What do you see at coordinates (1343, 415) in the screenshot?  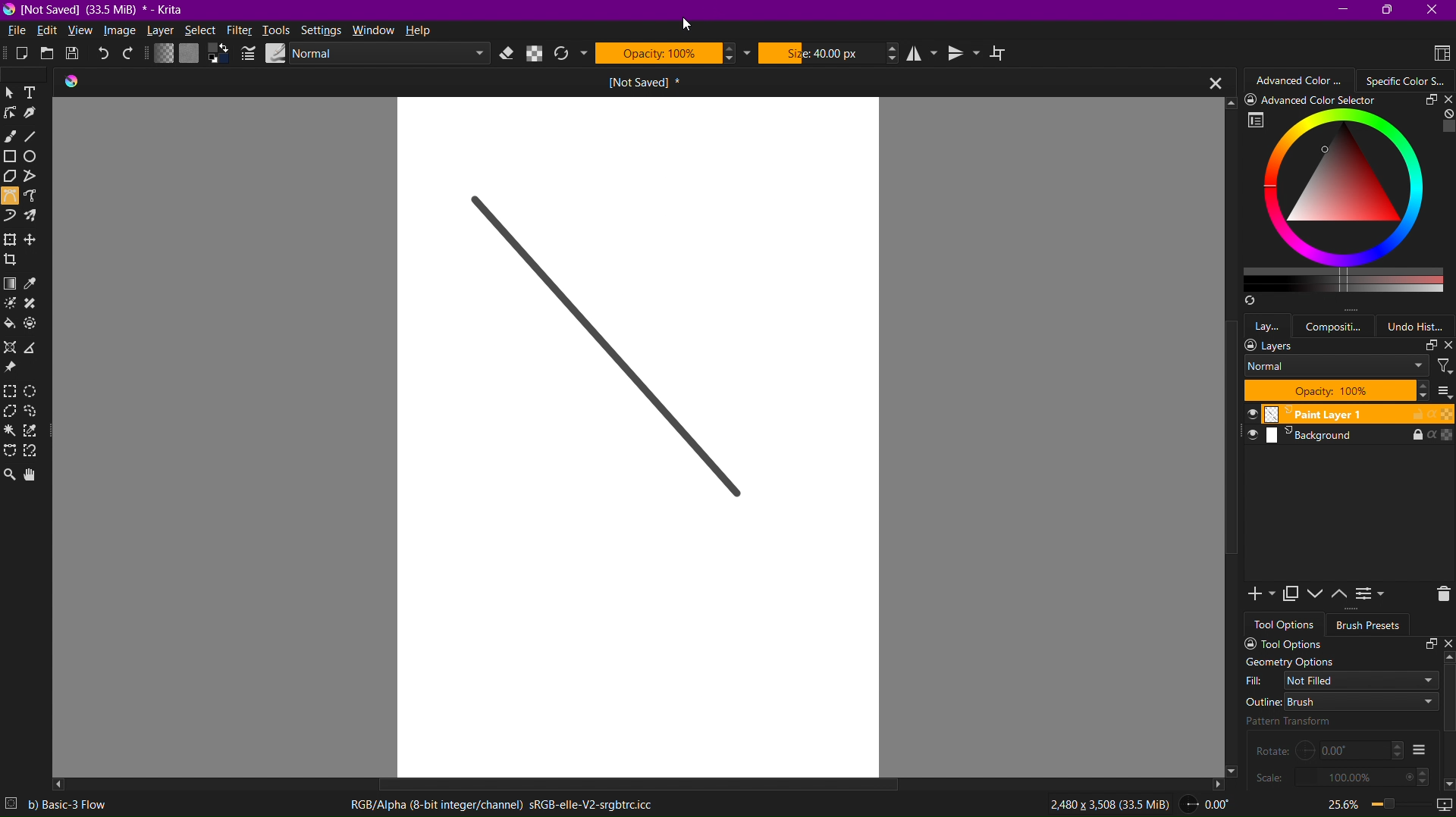 I see `Paint Layer 1` at bounding box center [1343, 415].